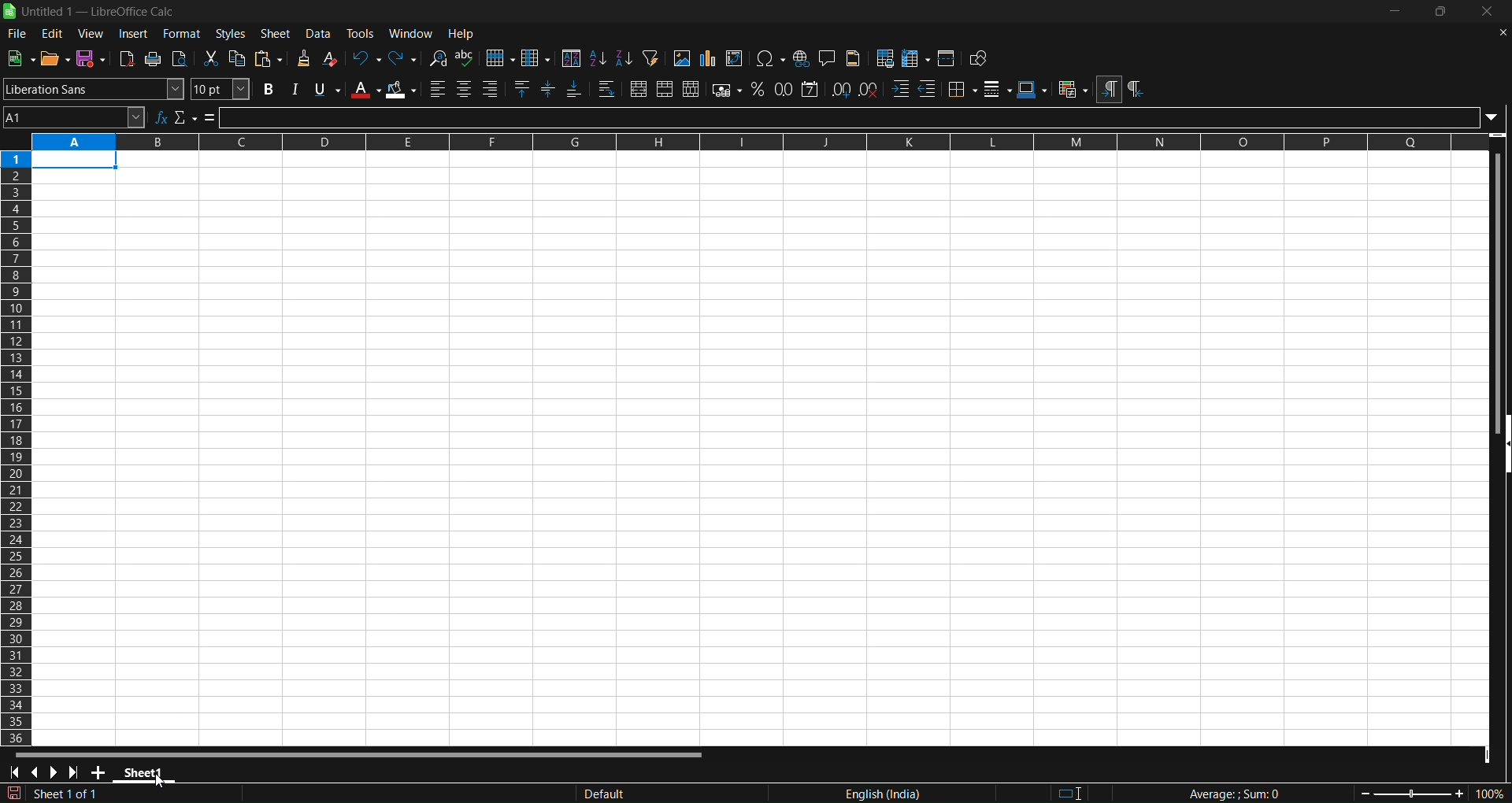 Image resolution: width=1512 pixels, height=803 pixels. What do you see at coordinates (38, 774) in the screenshot?
I see `scroll to previous sheet` at bounding box center [38, 774].